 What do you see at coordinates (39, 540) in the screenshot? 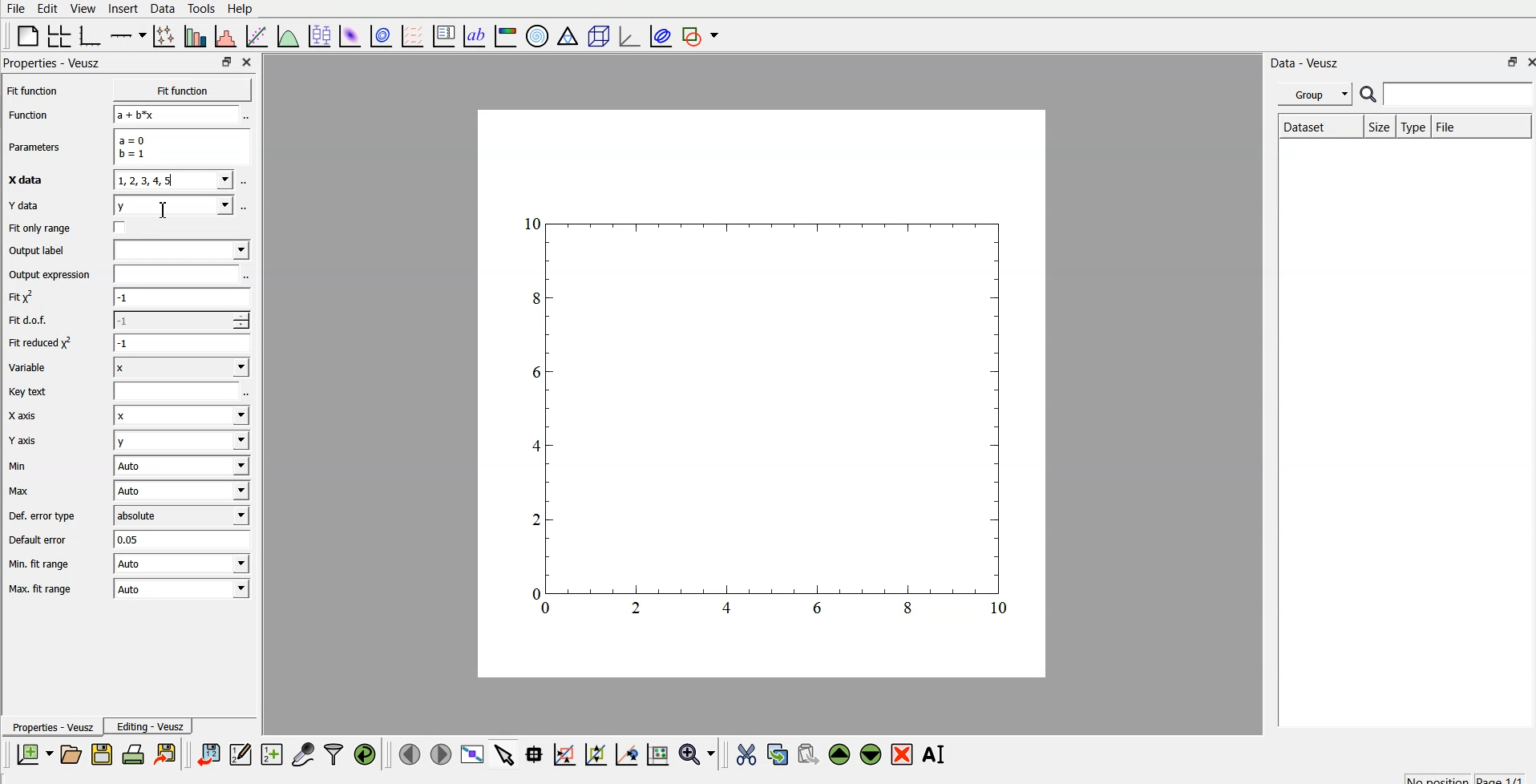
I see `Default error` at bounding box center [39, 540].